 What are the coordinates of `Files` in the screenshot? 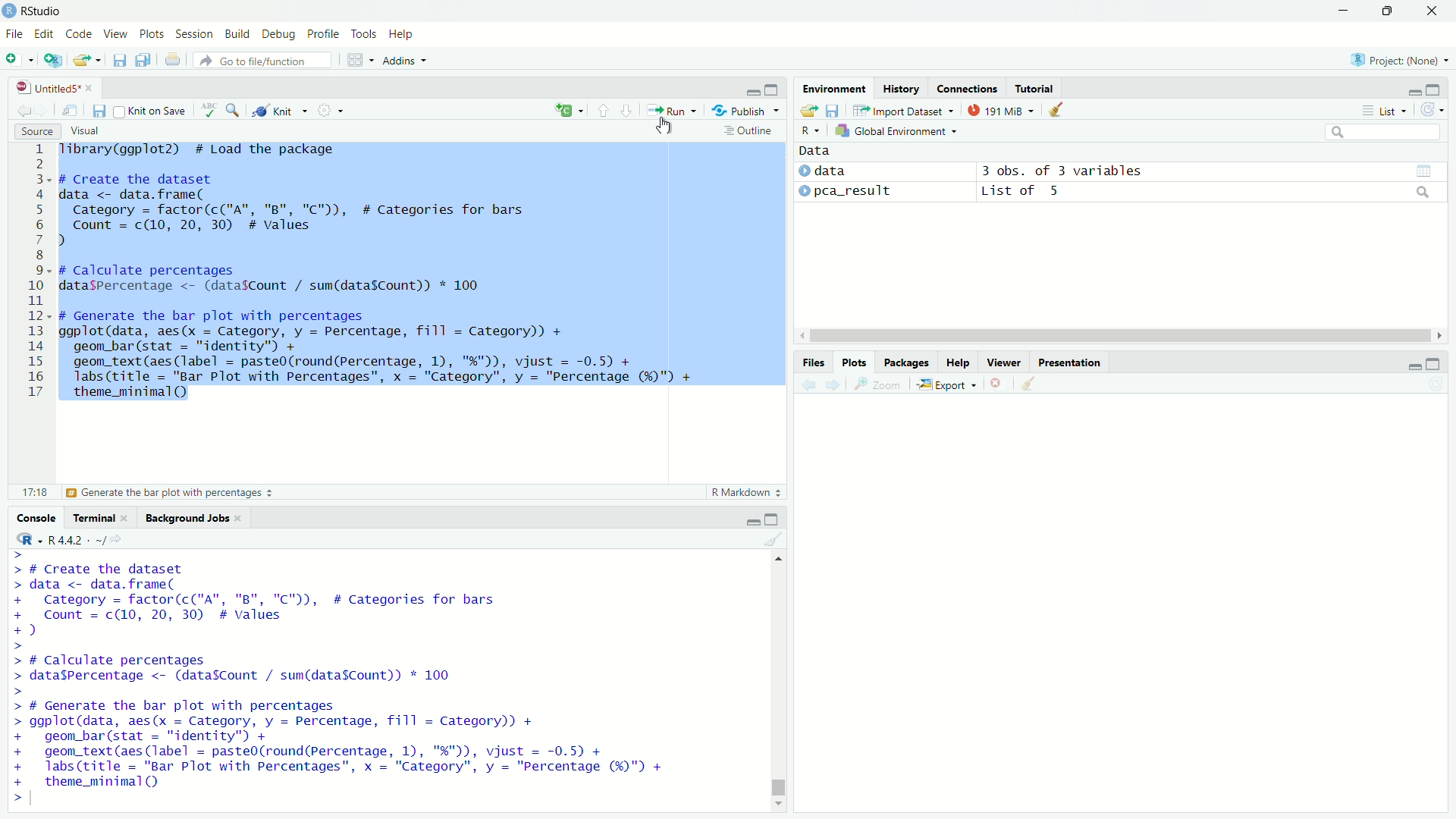 It's located at (813, 362).